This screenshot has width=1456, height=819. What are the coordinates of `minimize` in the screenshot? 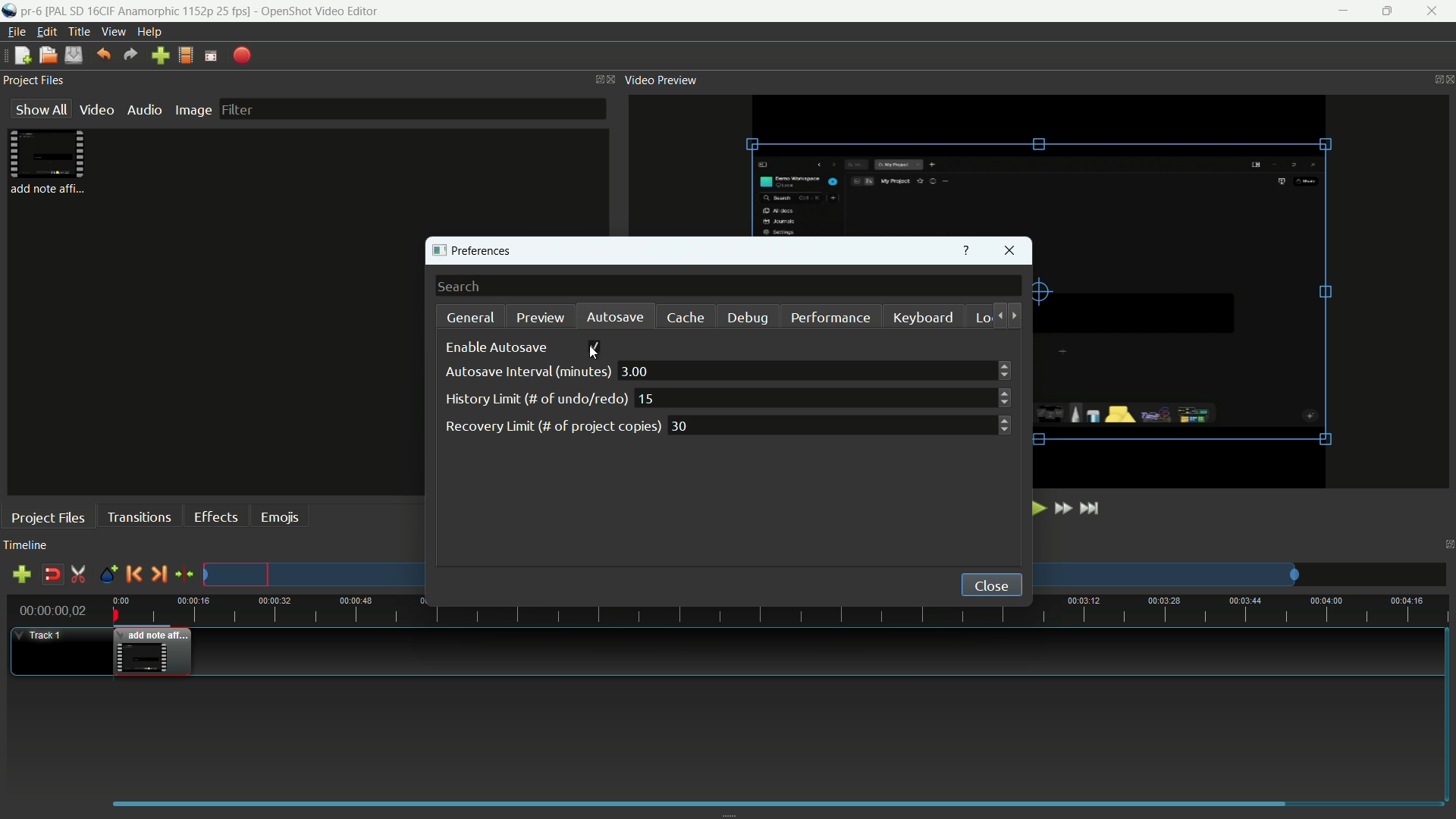 It's located at (1345, 11).